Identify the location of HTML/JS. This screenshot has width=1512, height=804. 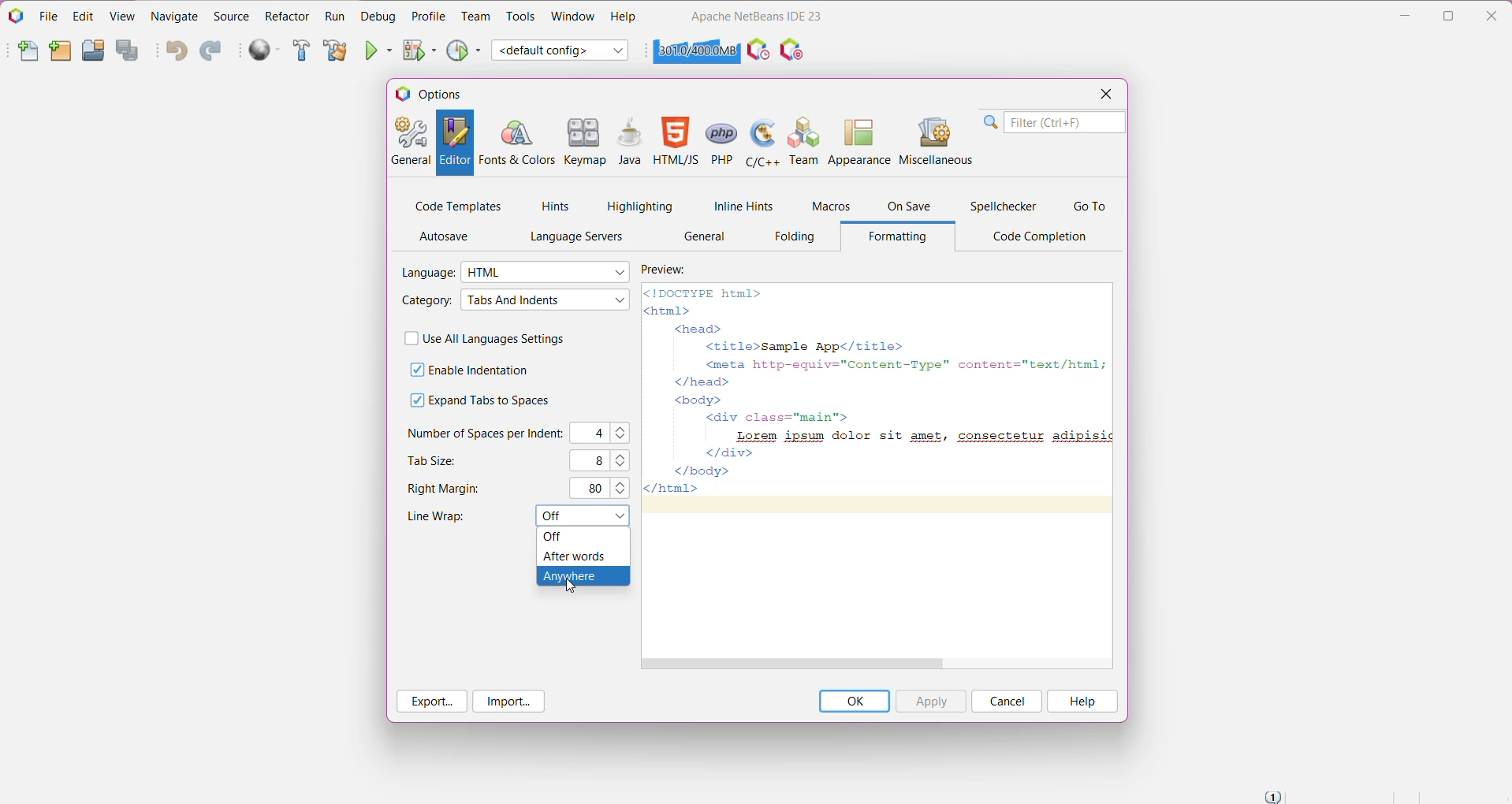
(676, 143).